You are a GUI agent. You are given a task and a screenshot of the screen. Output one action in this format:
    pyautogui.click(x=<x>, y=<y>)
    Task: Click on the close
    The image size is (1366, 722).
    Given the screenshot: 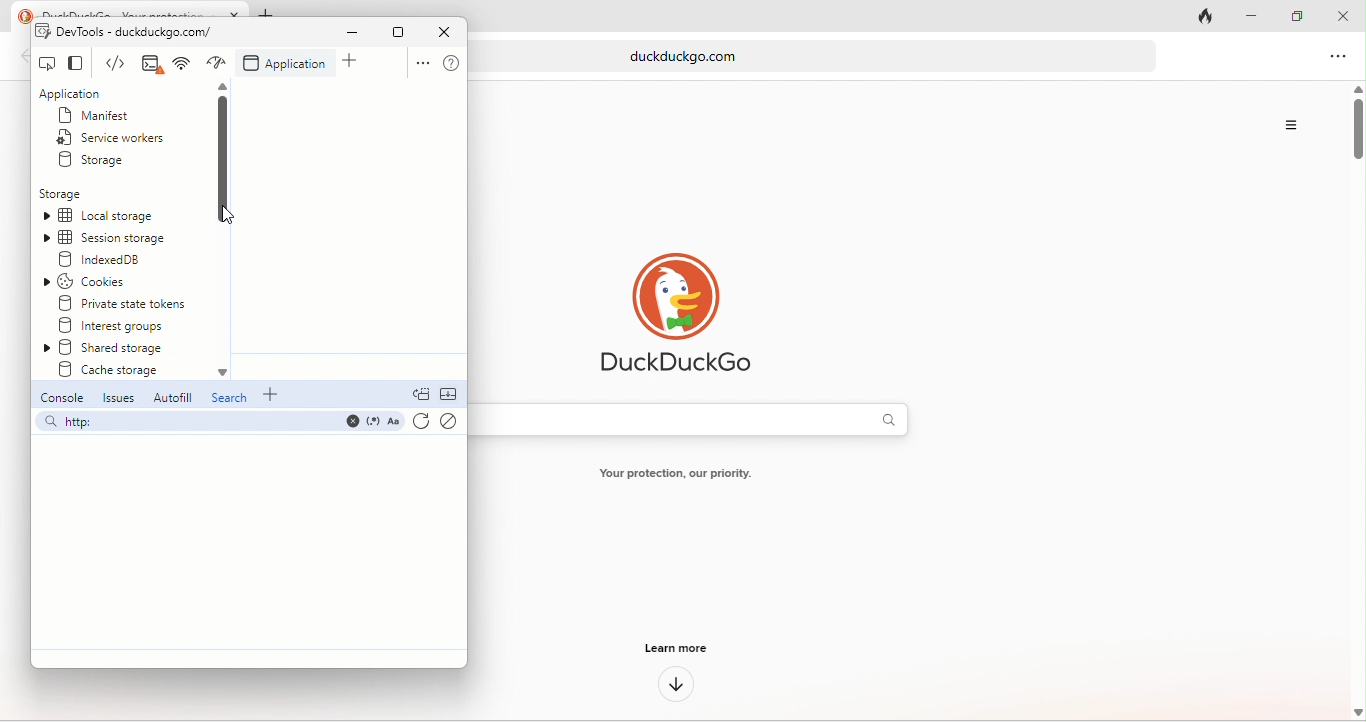 What is the action you would take?
    pyautogui.click(x=443, y=32)
    